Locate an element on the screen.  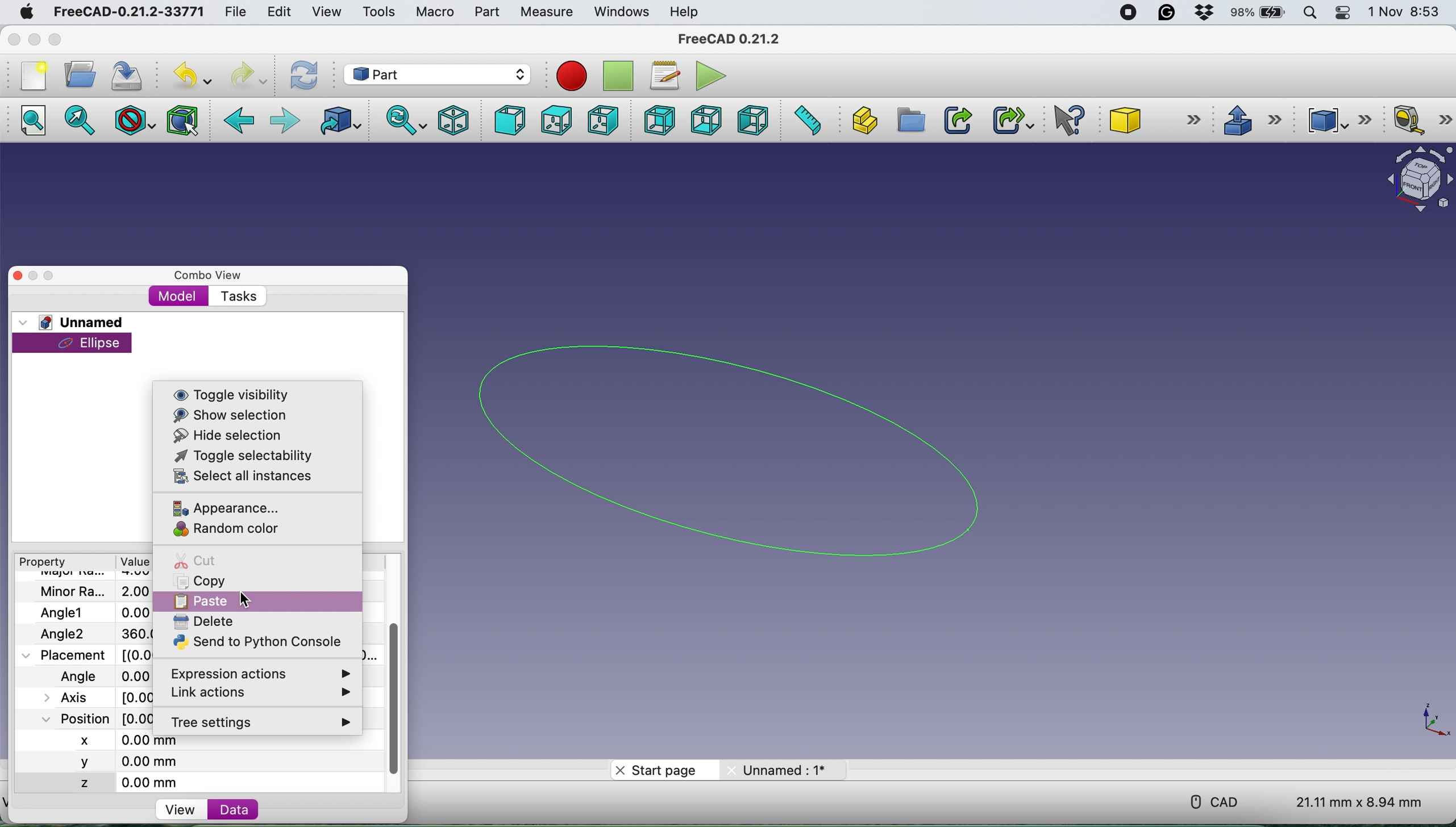
front is located at coordinates (511, 122).